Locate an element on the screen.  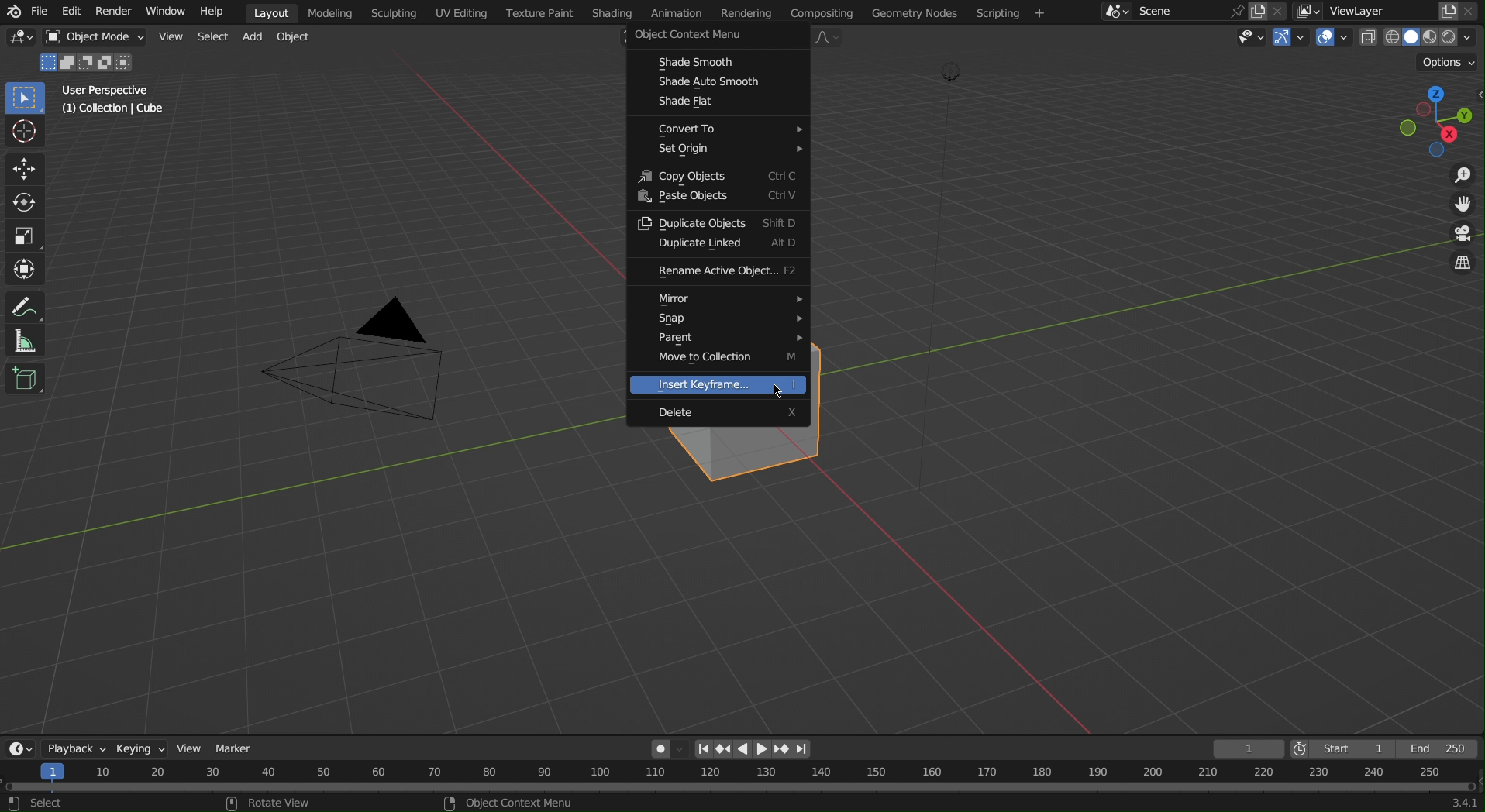
Shade Smooth is located at coordinates (718, 63).